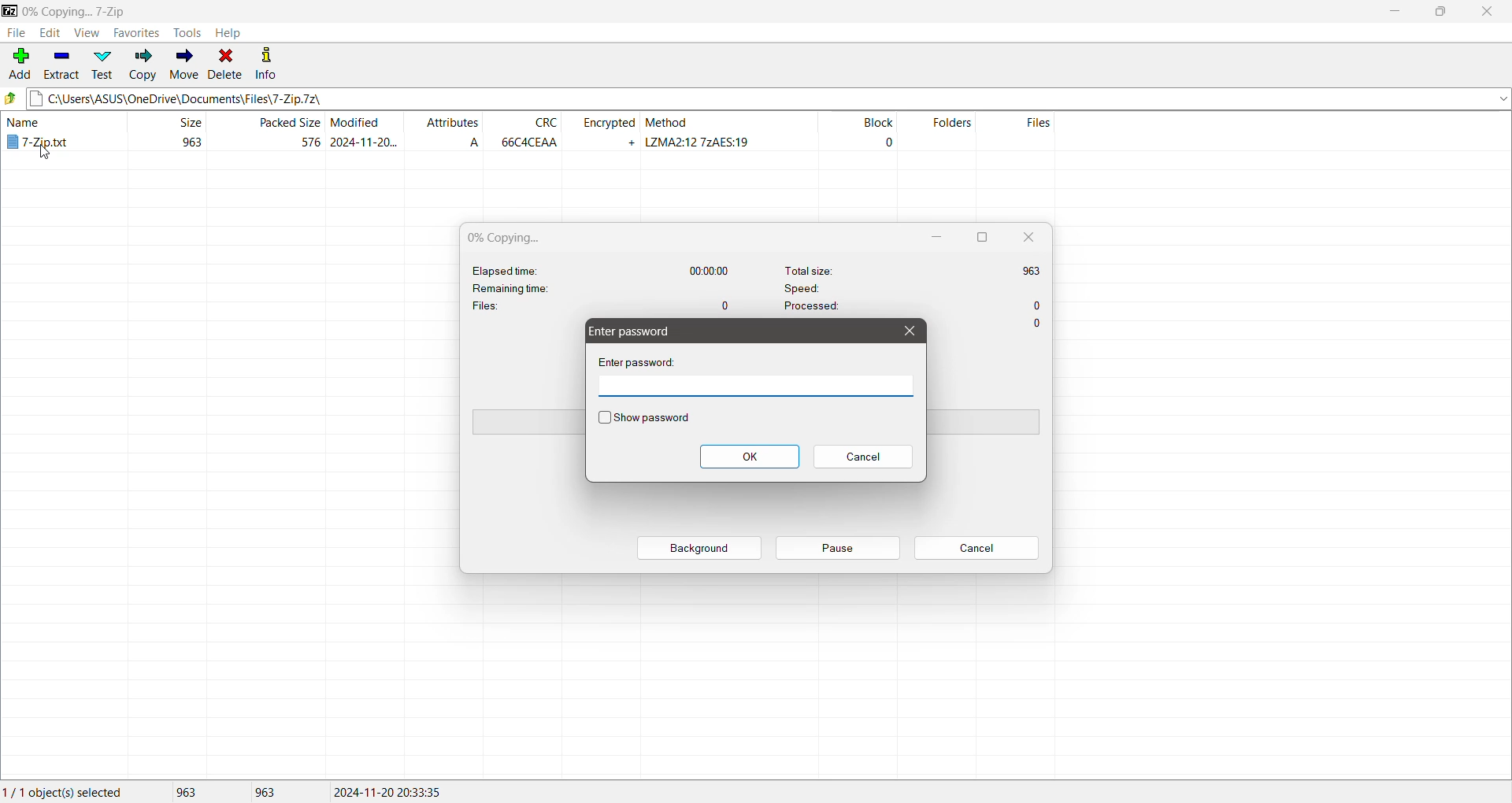  What do you see at coordinates (945, 133) in the screenshot?
I see `Folders` at bounding box center [945, 133].